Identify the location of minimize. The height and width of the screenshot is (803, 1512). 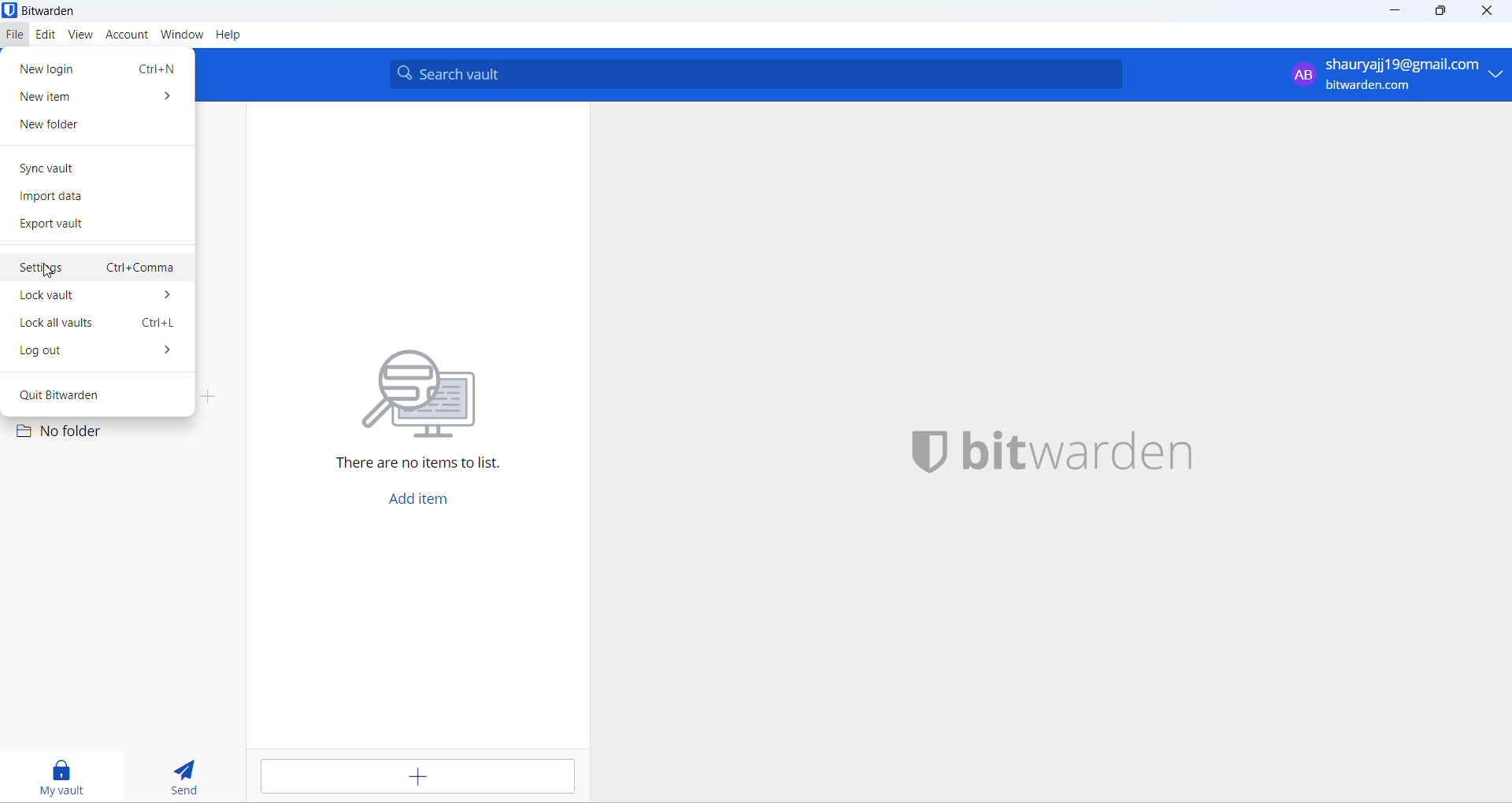
(1401, 13).